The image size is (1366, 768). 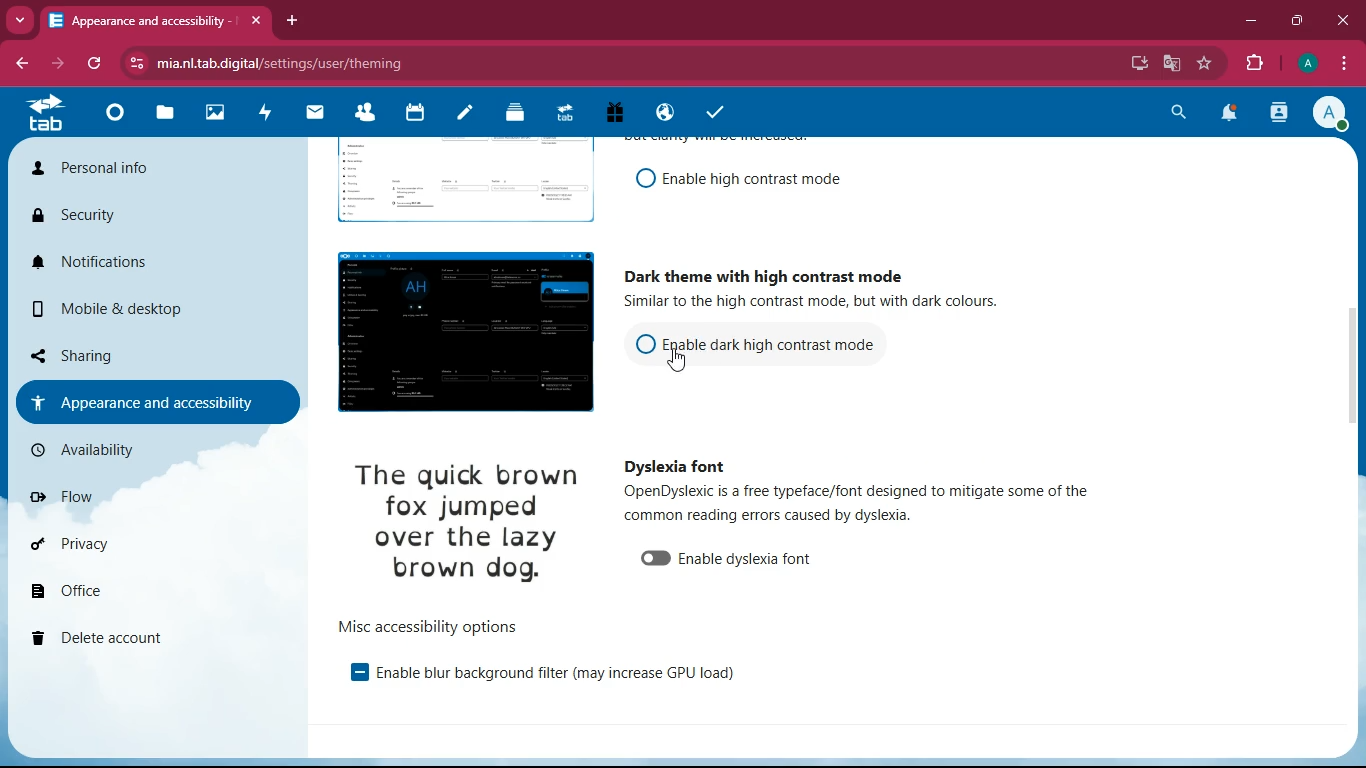 I want to click on privacy, so click(x=110, y=543).